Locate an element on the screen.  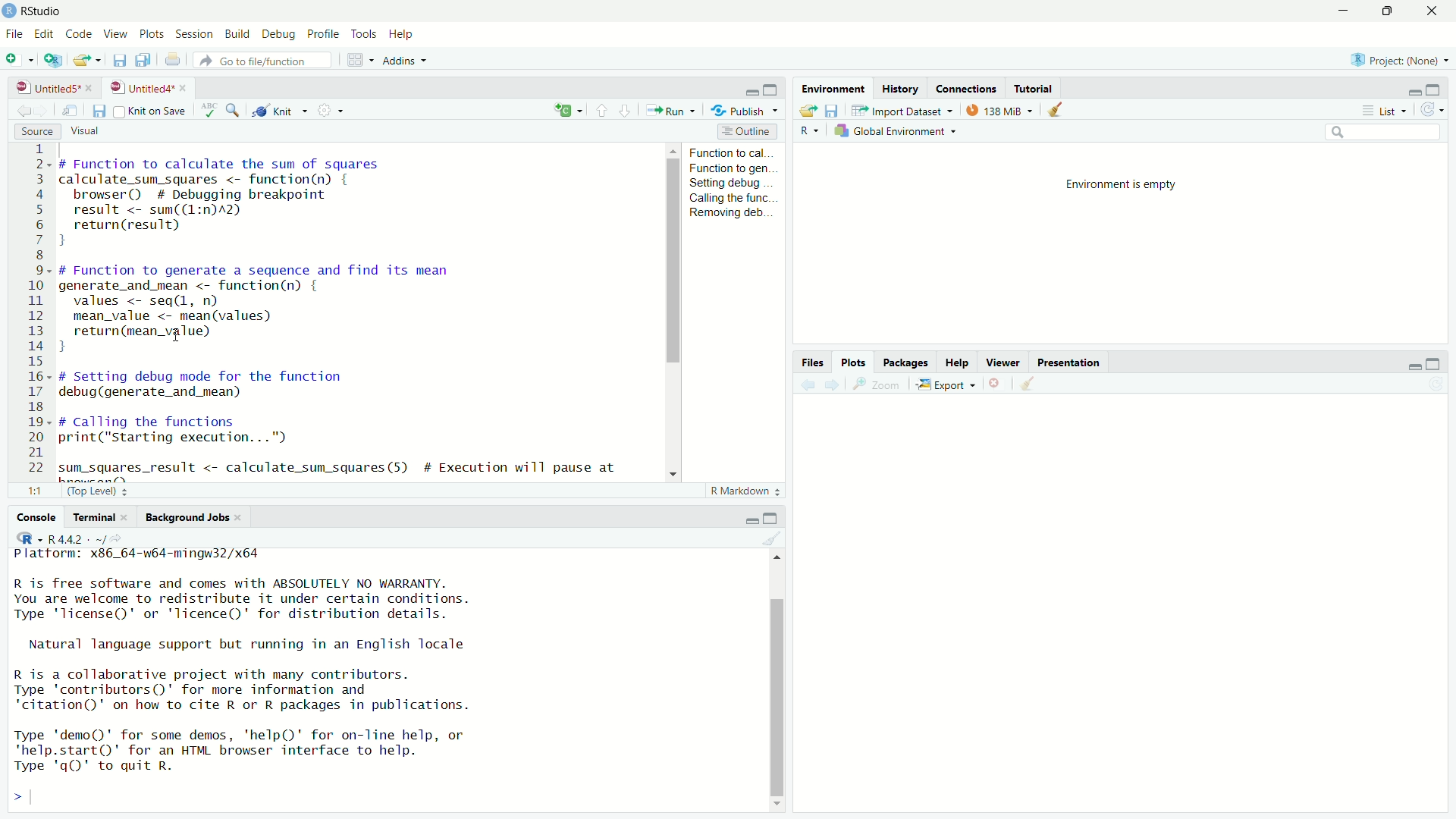
new file is located at coordinates (19, 60).